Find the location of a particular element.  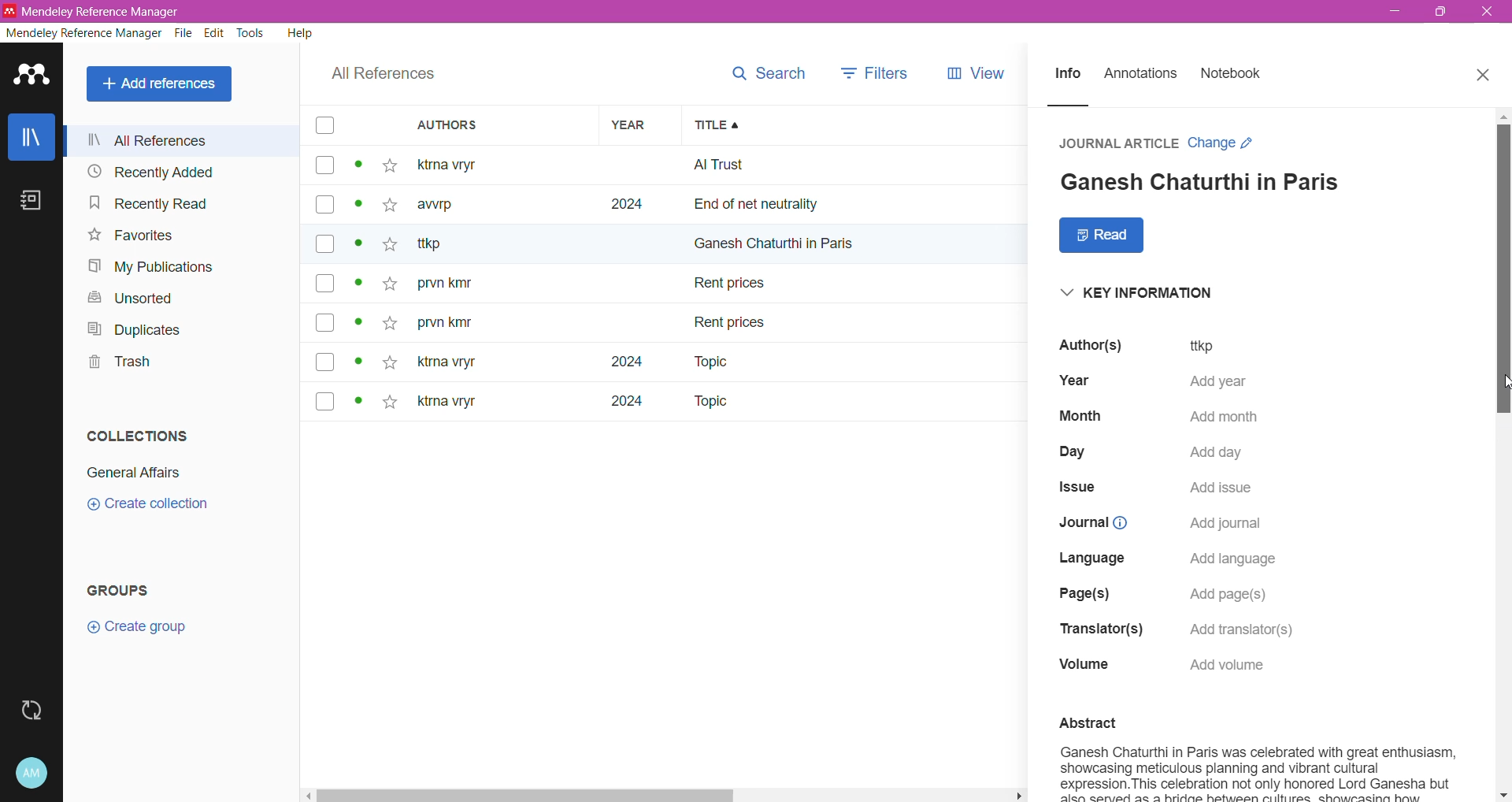

Click to view details of the reference is located at coordinates (361, 285).